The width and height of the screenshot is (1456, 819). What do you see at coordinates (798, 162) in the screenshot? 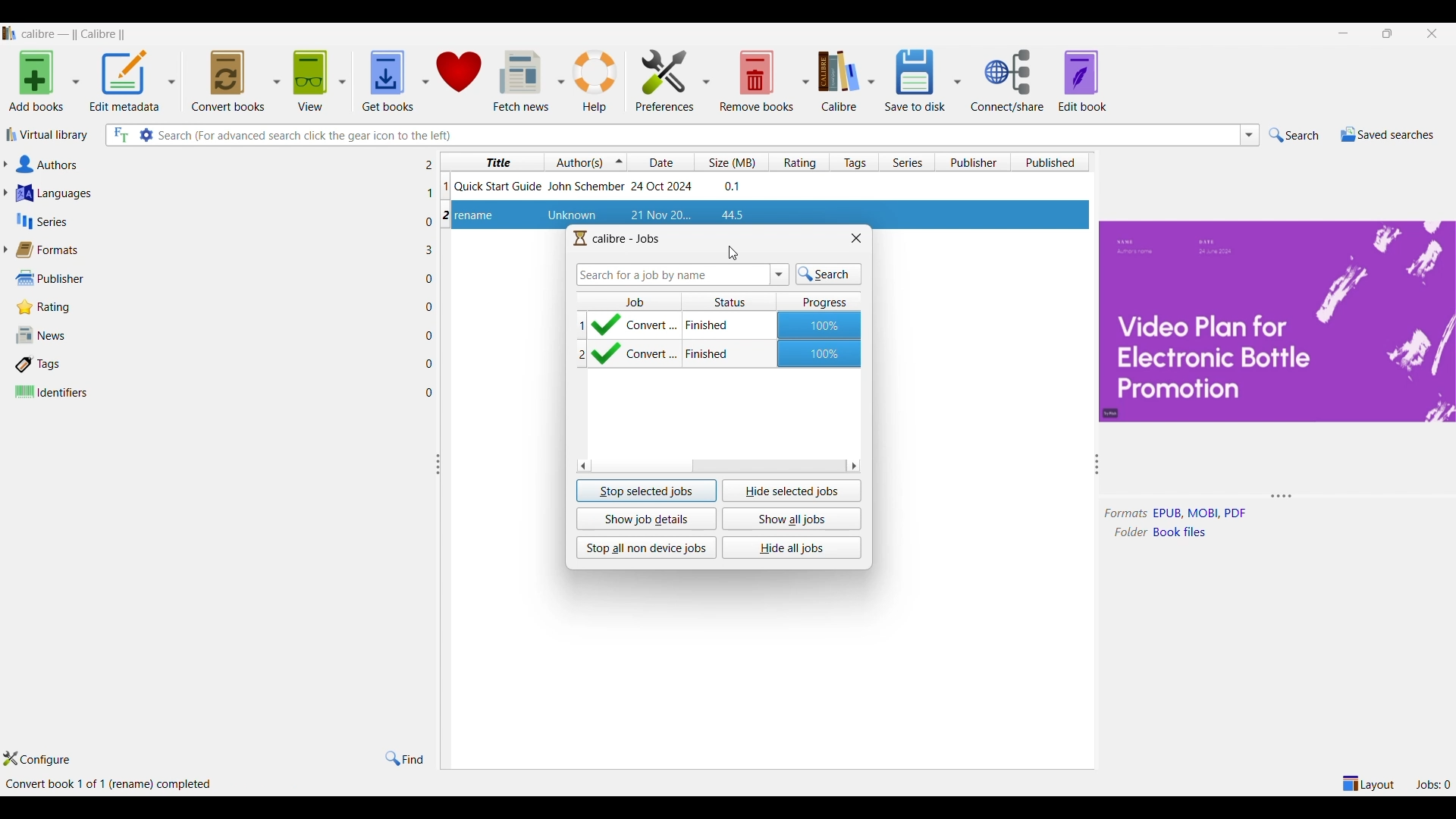
I see `Rating column` at bounding box center [798, 162].